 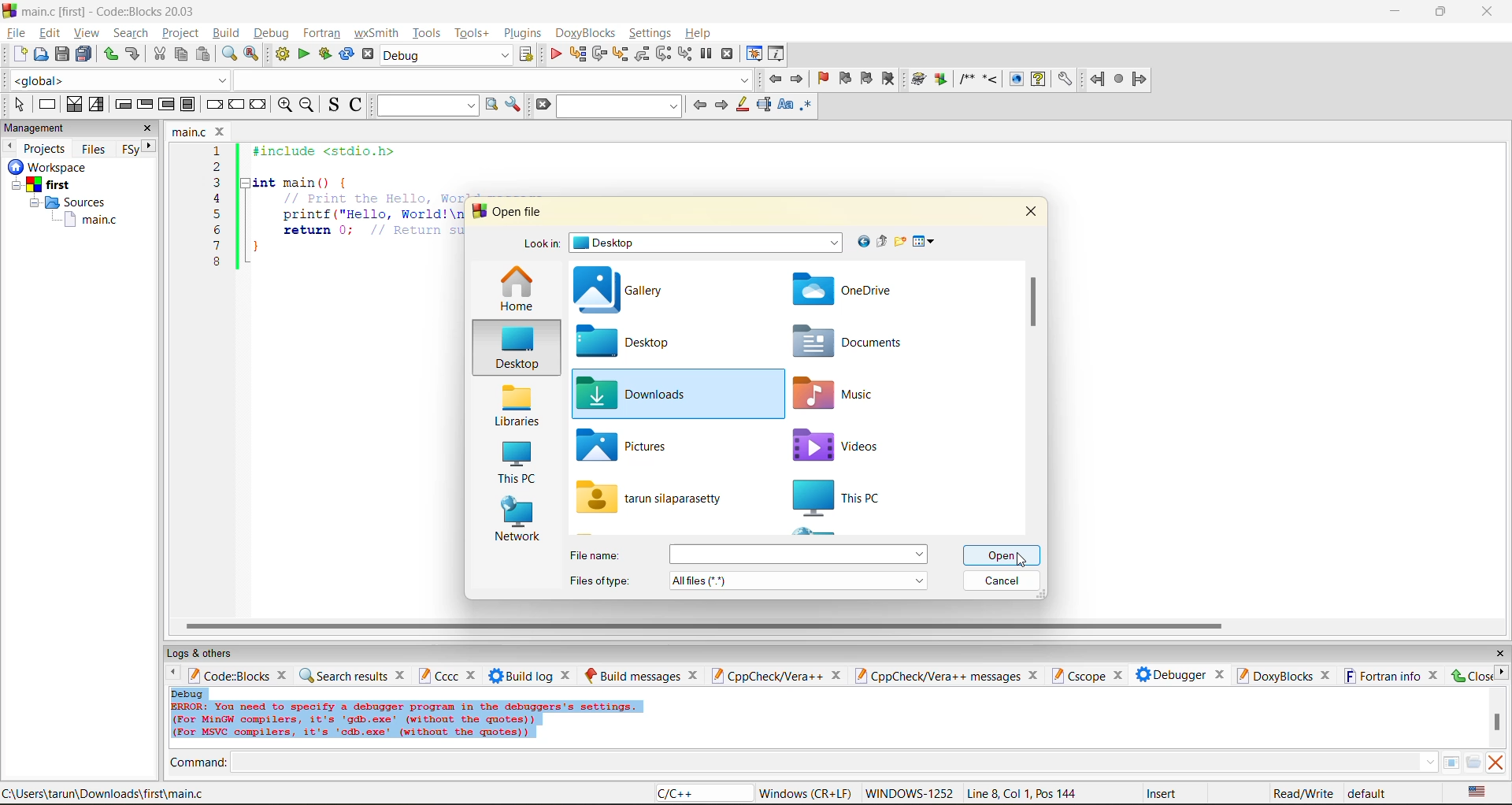 What do you see at coordinates (191, 132) in the screenshot?
I see `file name` at bounding box center [191, 132].